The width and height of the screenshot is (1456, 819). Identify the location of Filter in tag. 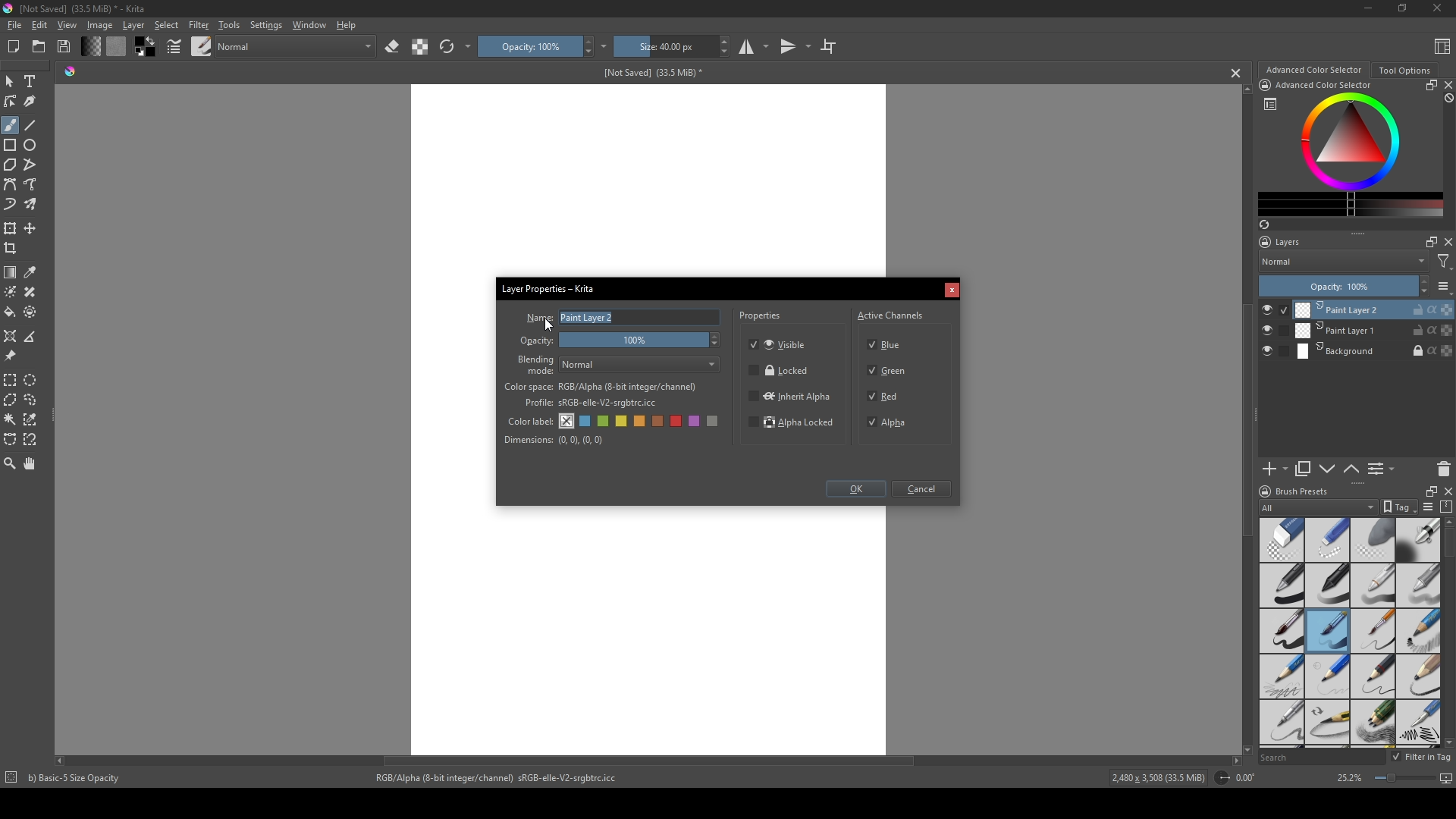
(1423, 758).